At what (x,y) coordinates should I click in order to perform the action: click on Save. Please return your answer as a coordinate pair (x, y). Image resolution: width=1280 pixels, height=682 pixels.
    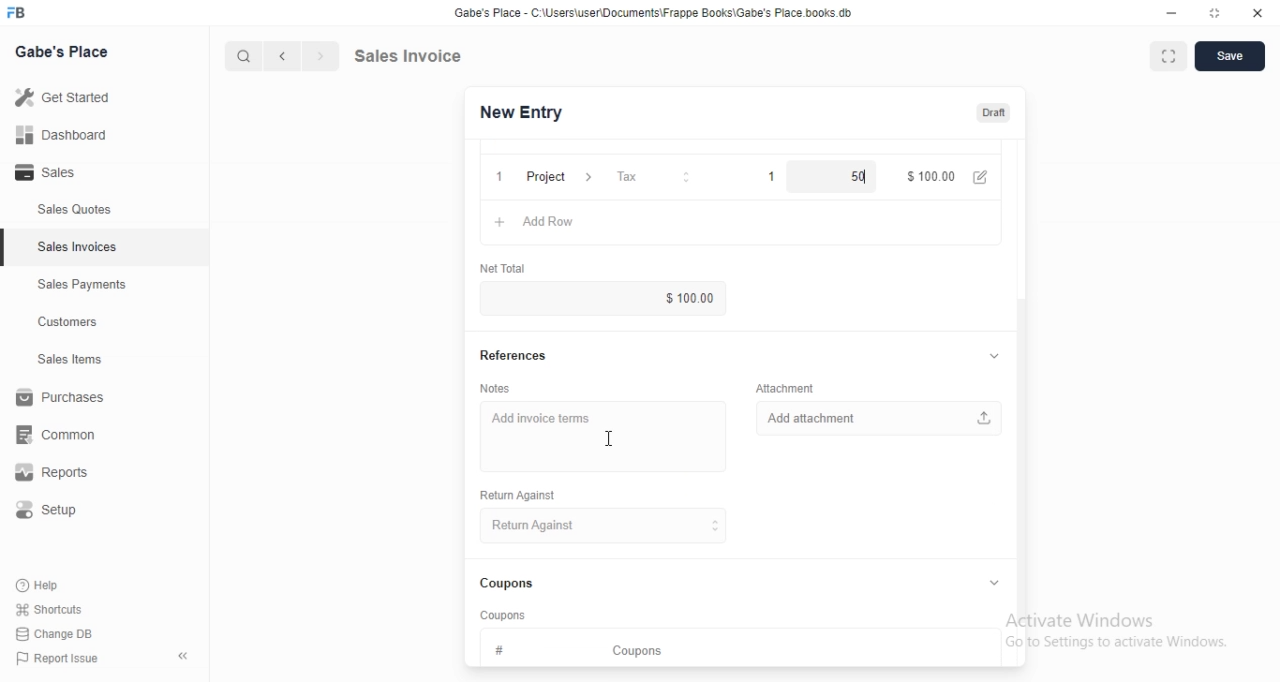
    Looking at the image, I should click on (1230, 57).